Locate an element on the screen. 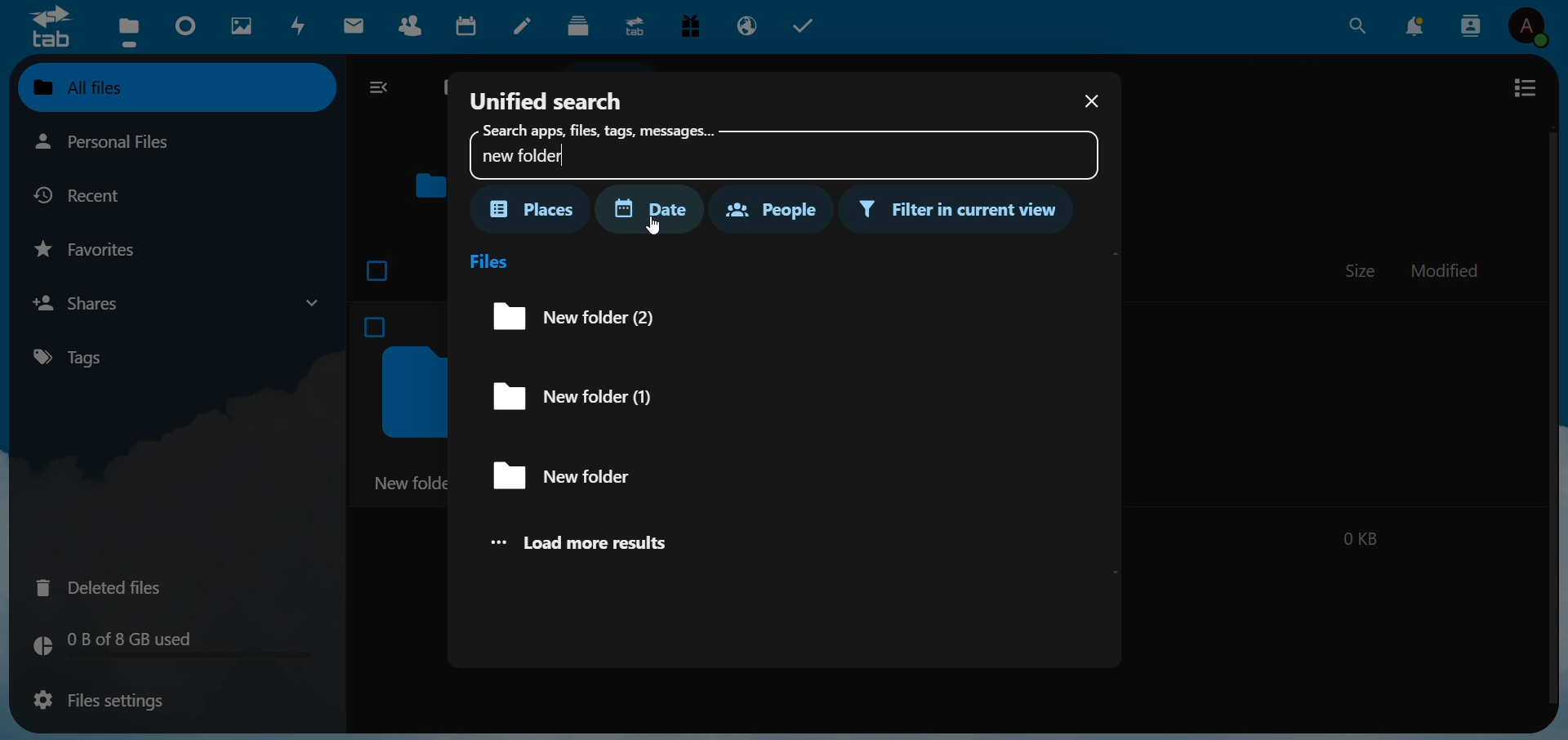  mail is located at coordinates (357, 26).